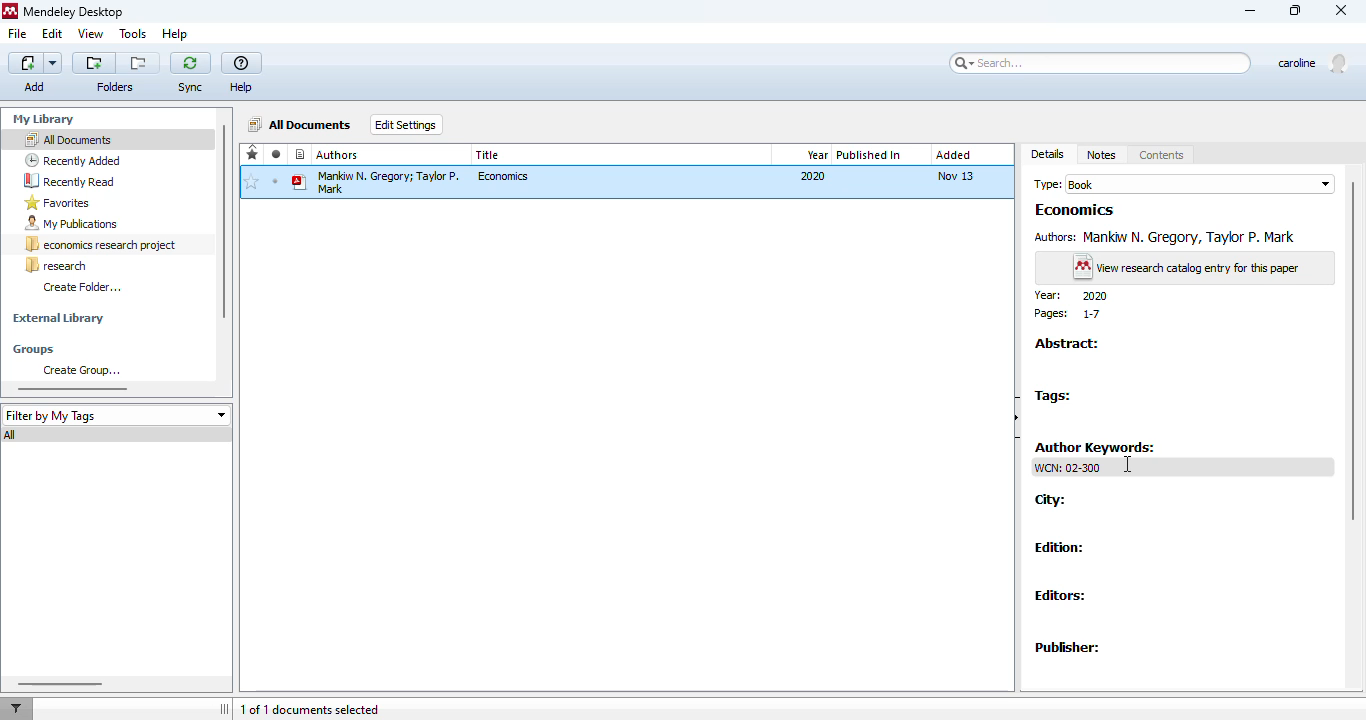  Describe the element at coordinates (59, 317) in the screenshot. I see `external library` at that location.